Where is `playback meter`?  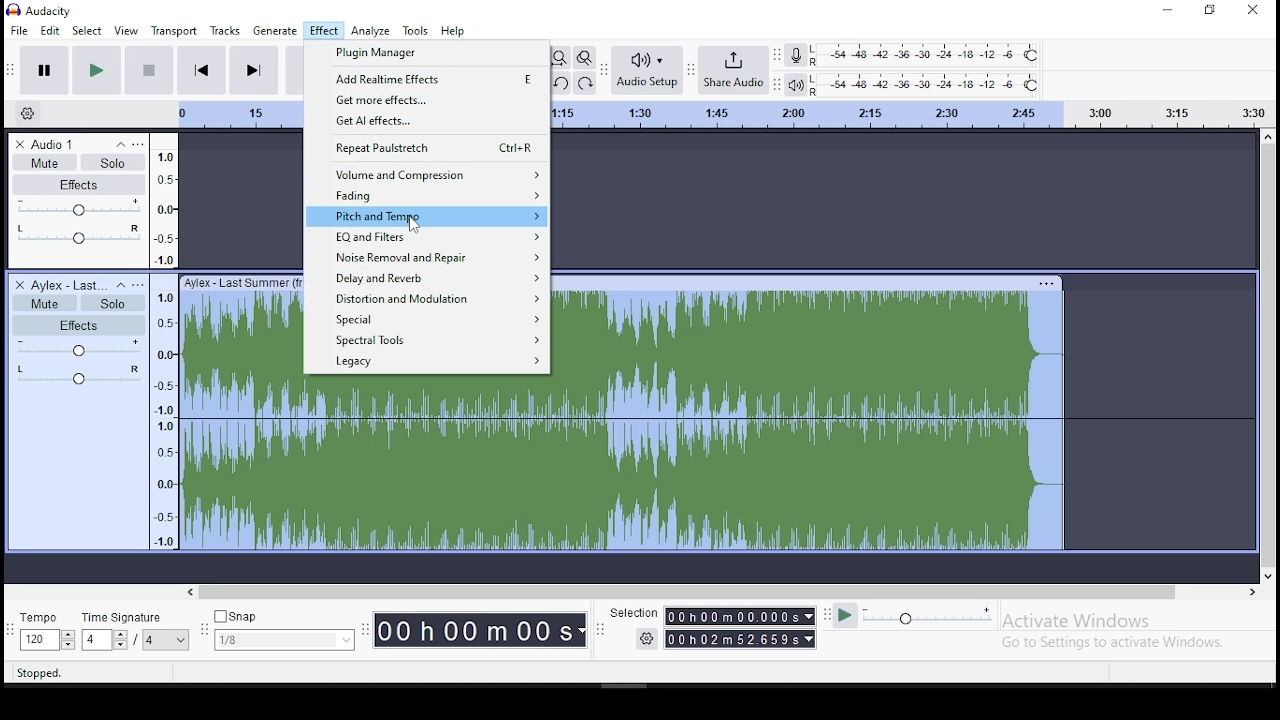 playback meter is located at coordinates (926, 86).